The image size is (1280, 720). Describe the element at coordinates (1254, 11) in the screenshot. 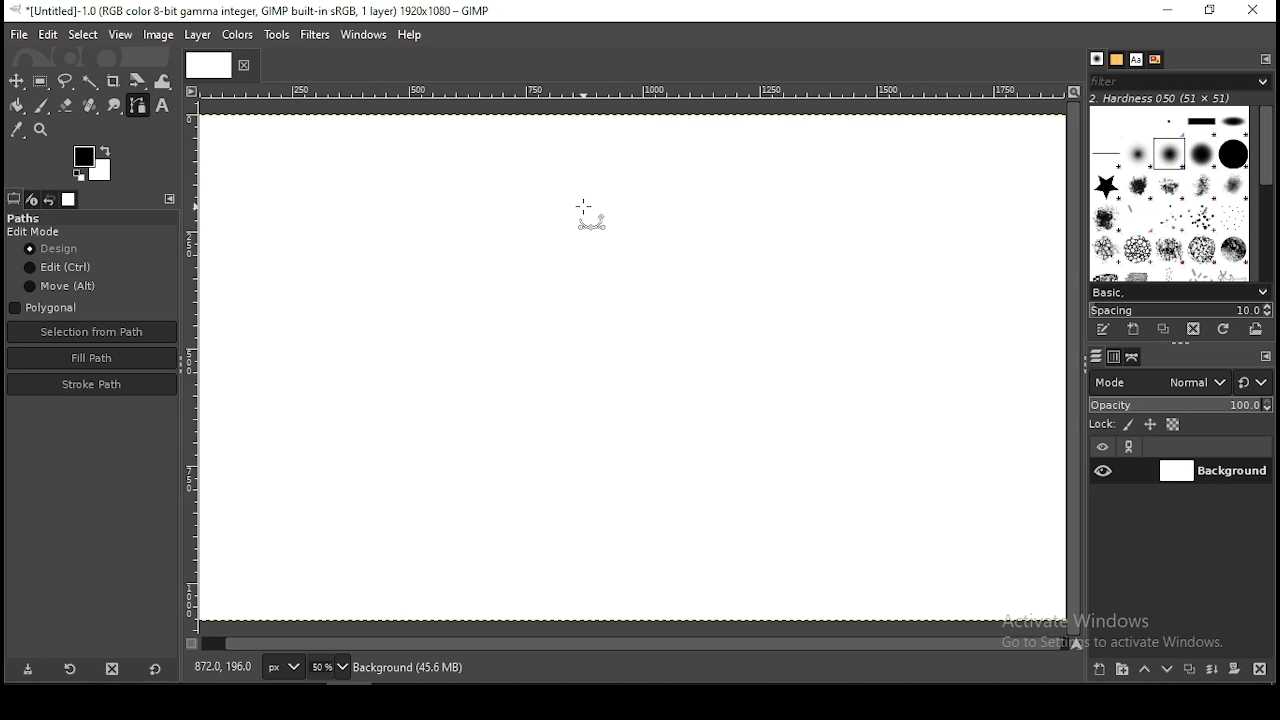

I see `close window` at that location.